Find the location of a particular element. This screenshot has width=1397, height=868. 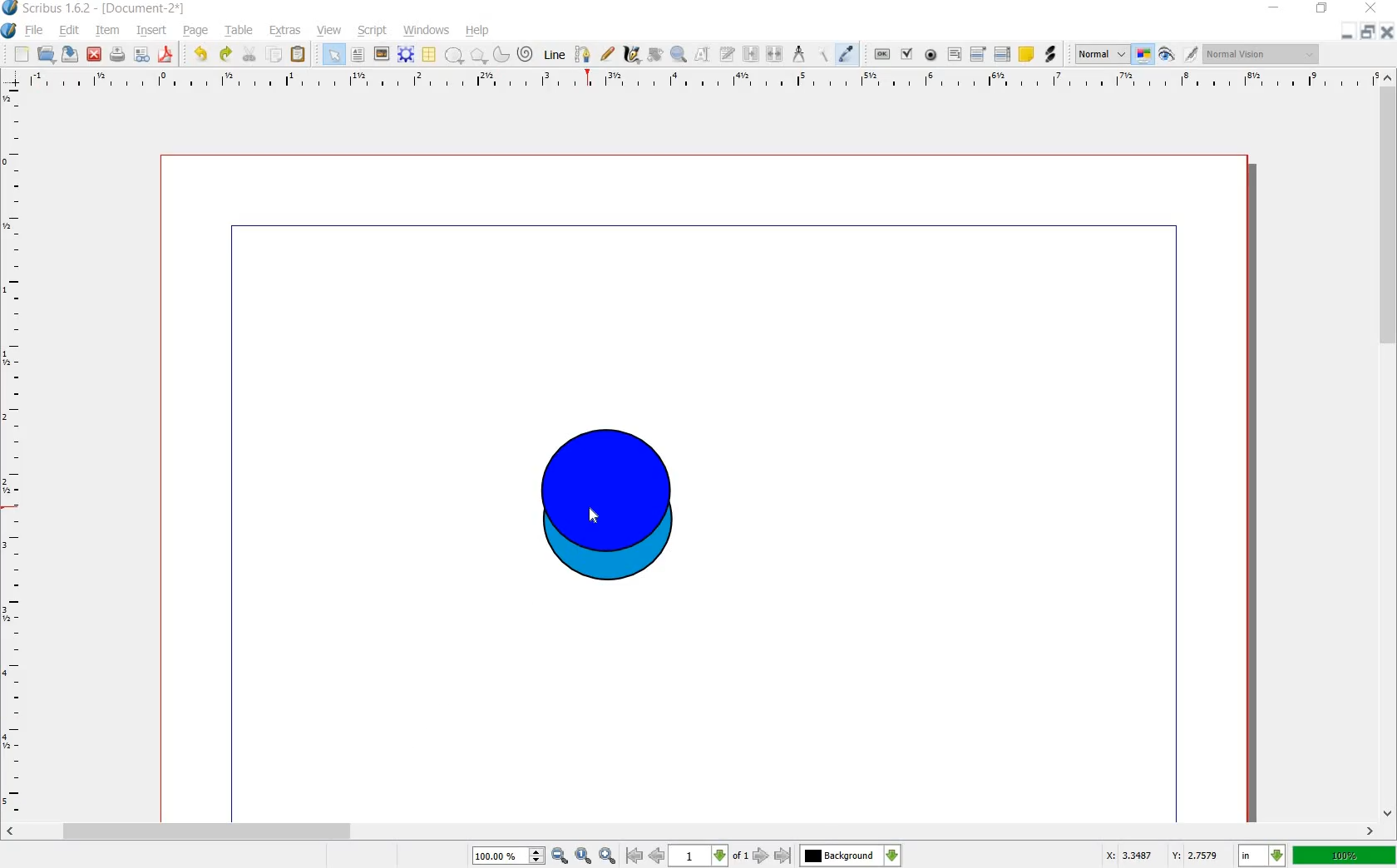

toggle color management system is located at coordinates (1143, 54).